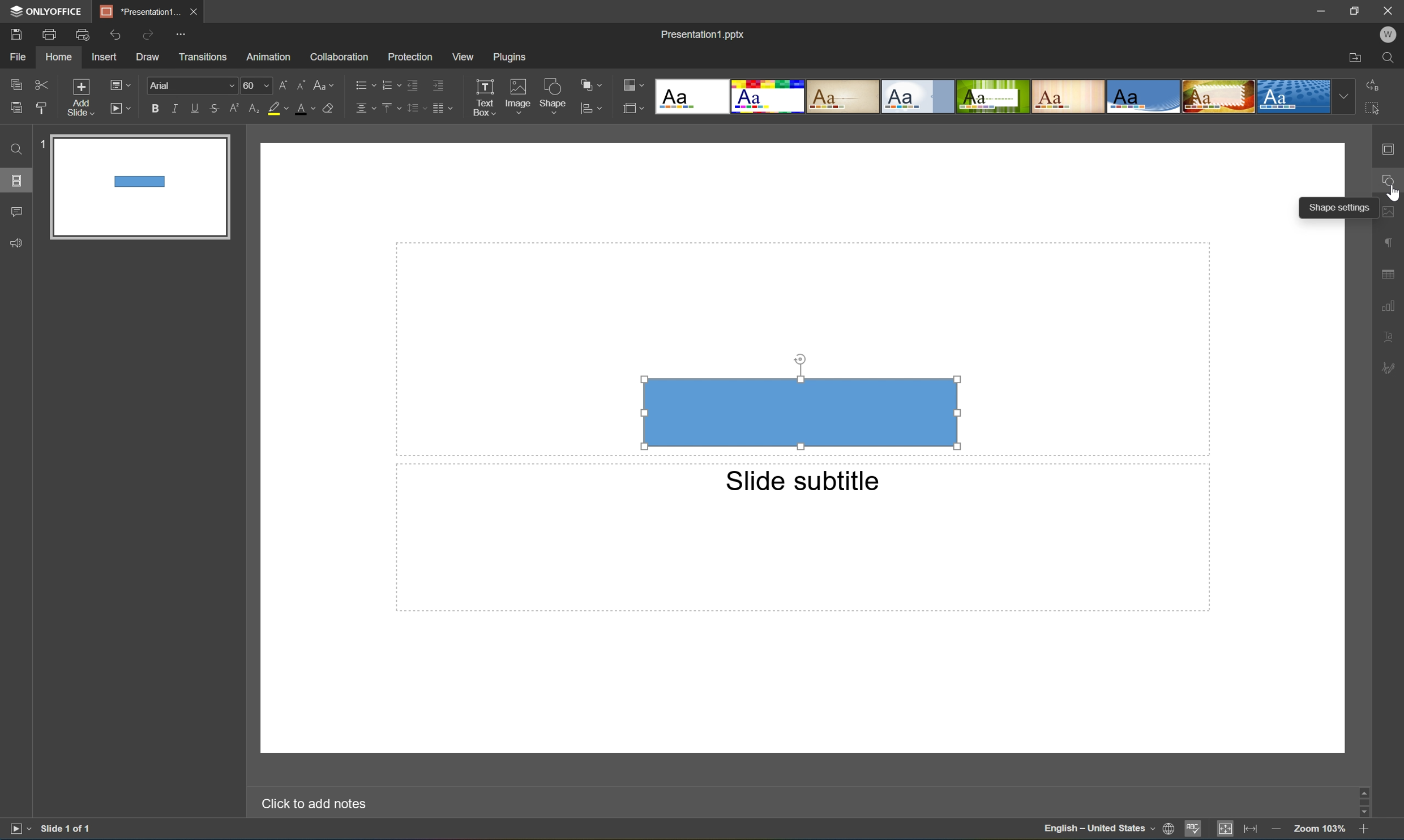 The width and height of the screenshot is (1404, 840). I want to click on Horizontally align, so click(363, 108).